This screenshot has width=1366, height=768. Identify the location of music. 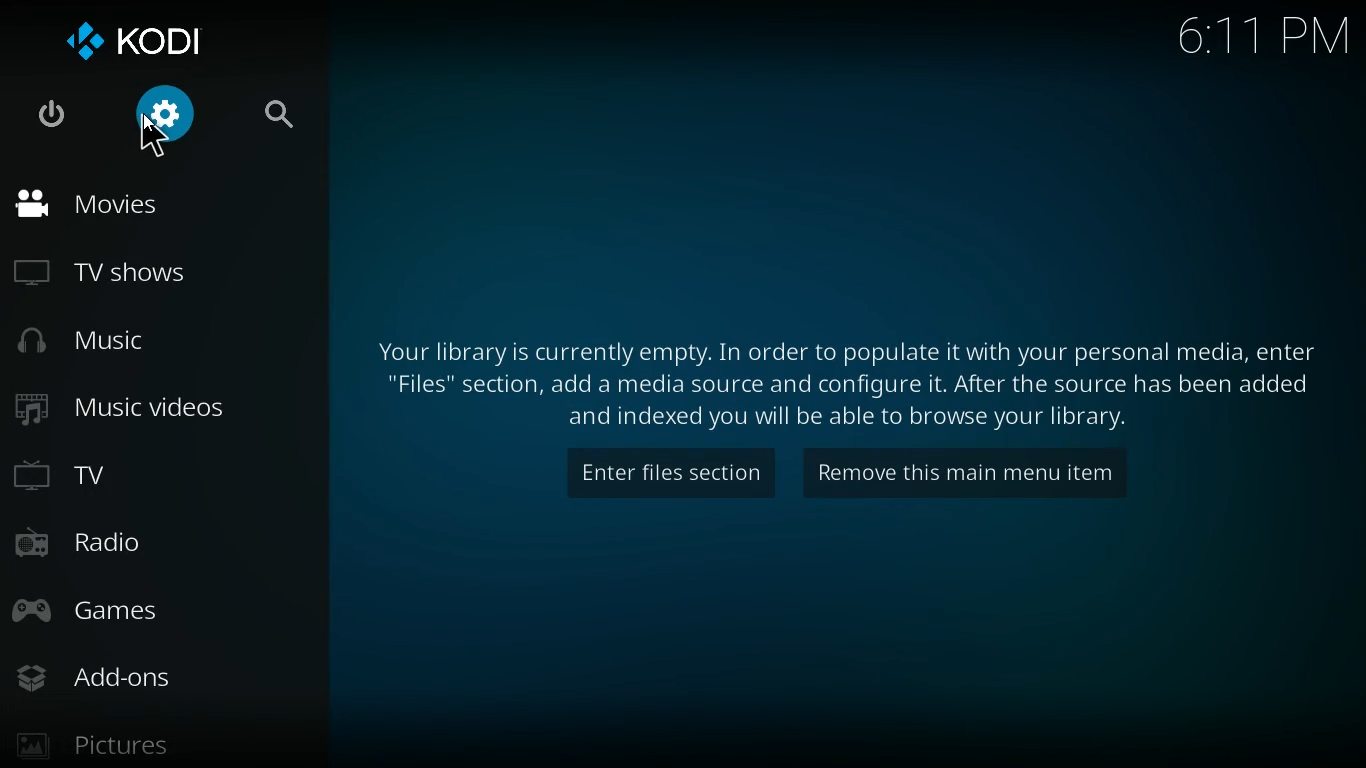
(155, 342).